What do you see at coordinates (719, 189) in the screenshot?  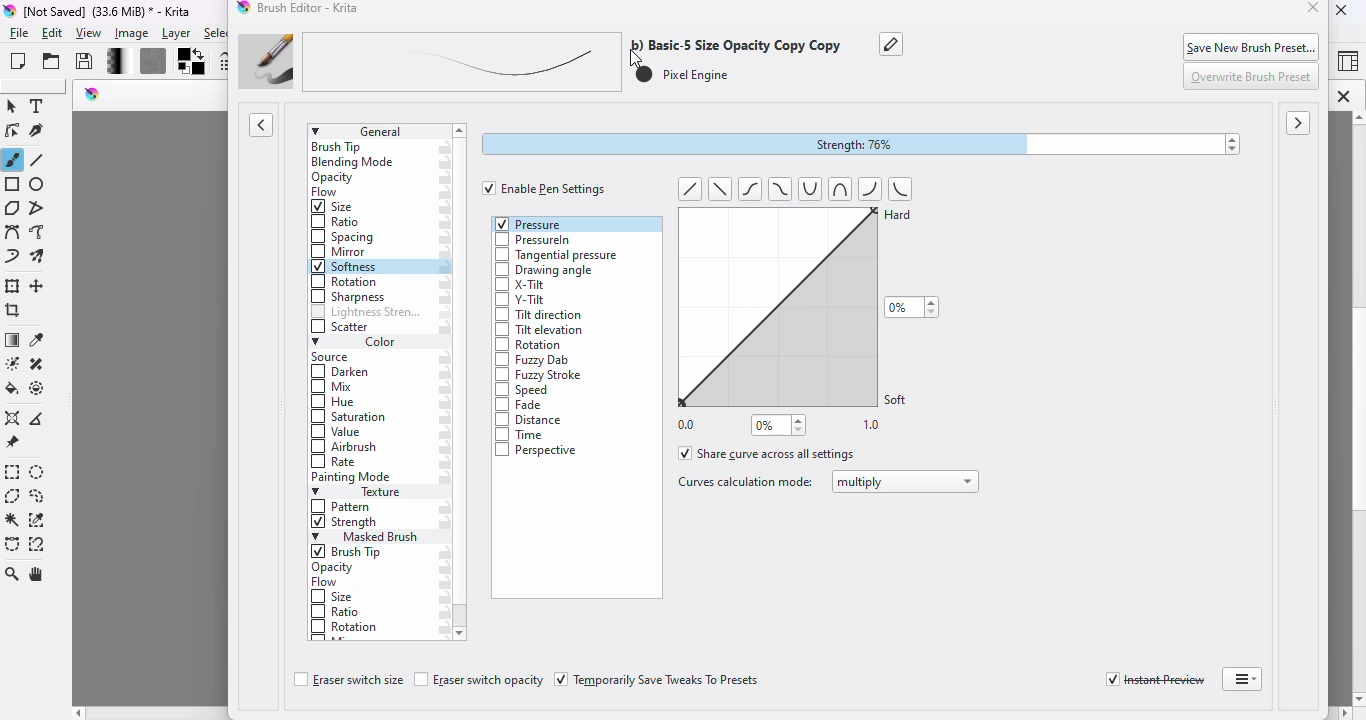 I see `diagonal` at bounding box center [719, 189].